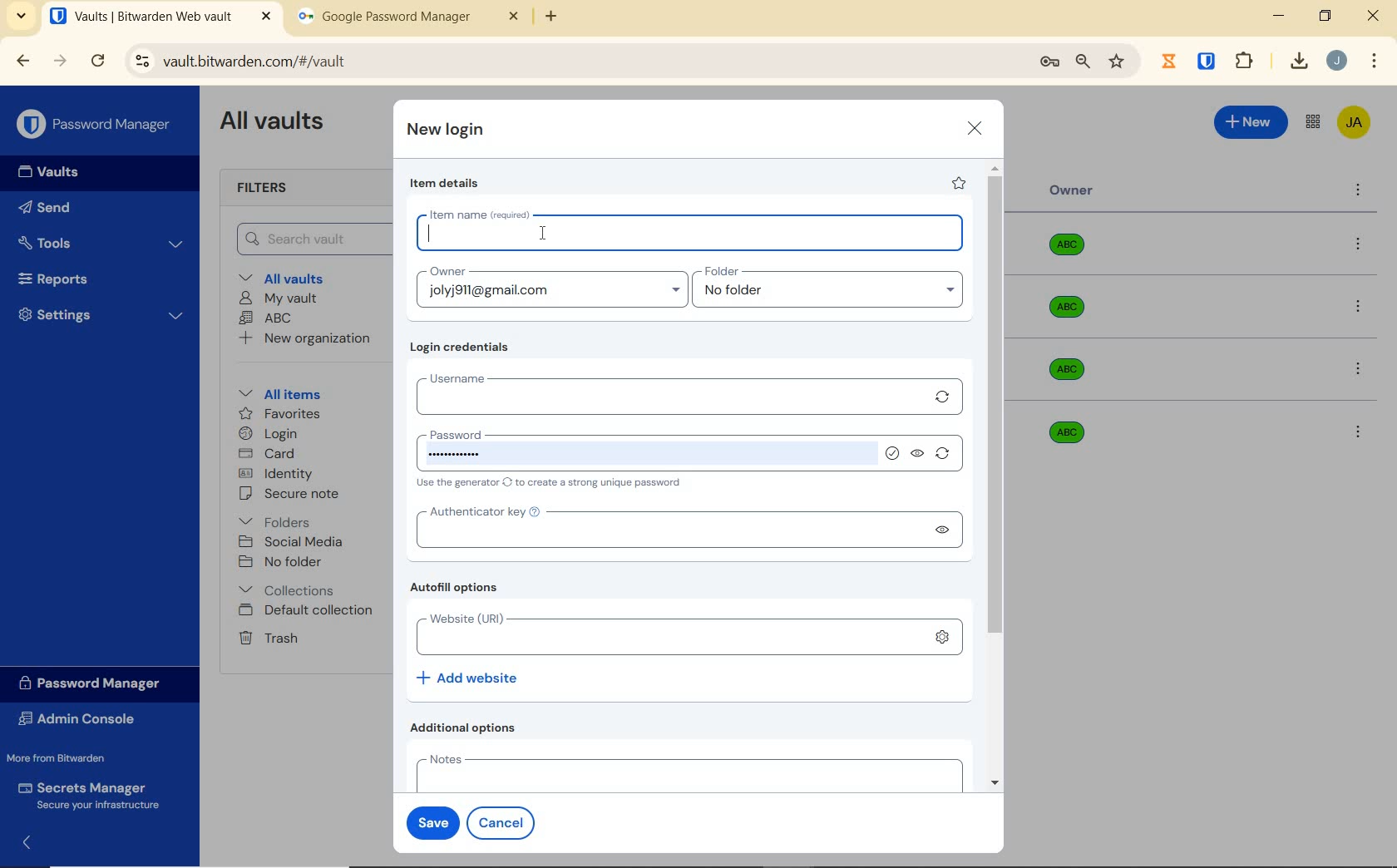 Image resolution: width=1397 pixels, height=868 pixels. I want to click on scrollbar, so click(997, 476).